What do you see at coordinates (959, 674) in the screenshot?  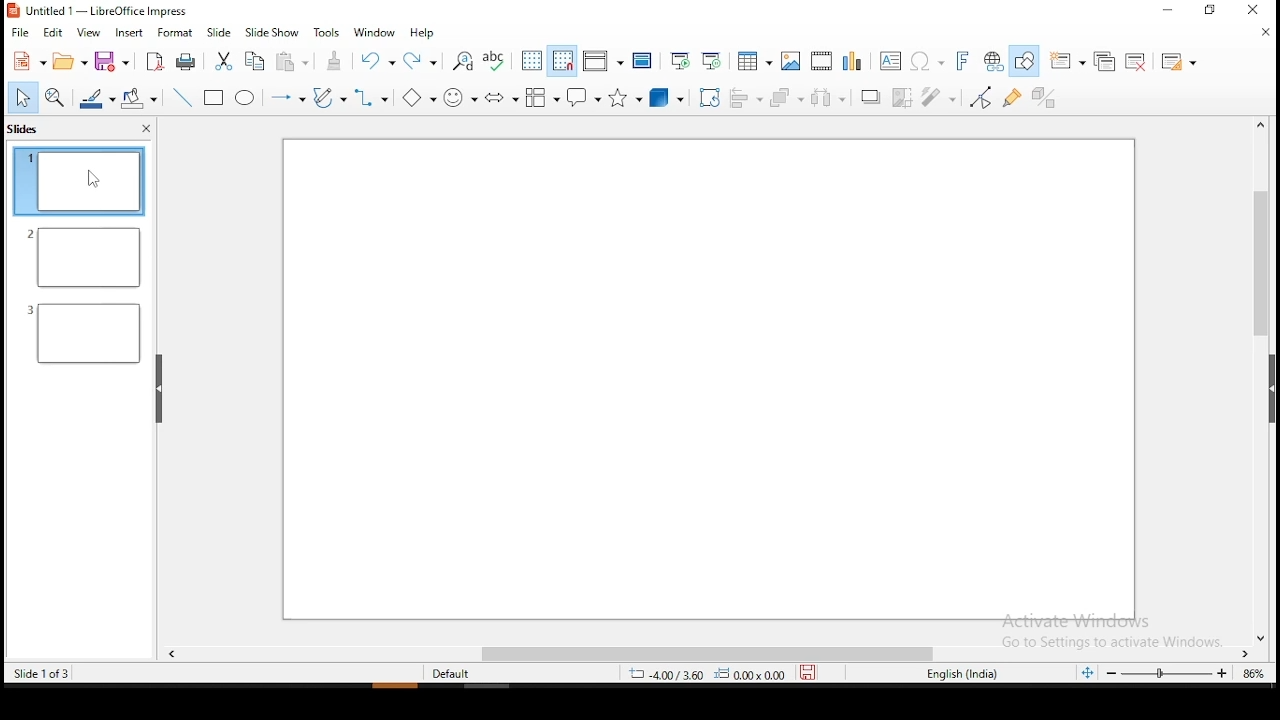 I see `english (india)` at bounding box center [959, 674].